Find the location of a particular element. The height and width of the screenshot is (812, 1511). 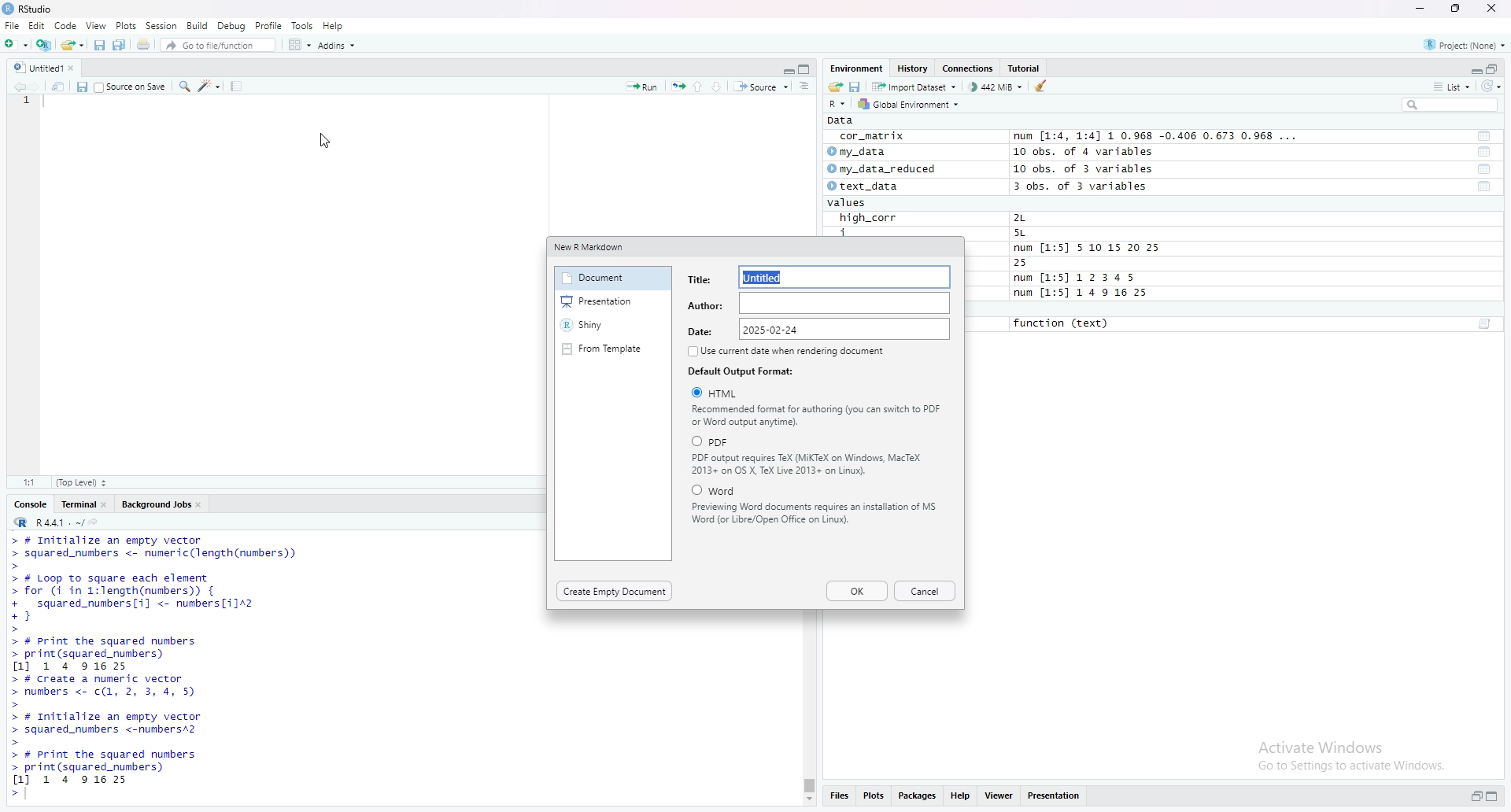

show in new window is located at coordinates (64, 87).